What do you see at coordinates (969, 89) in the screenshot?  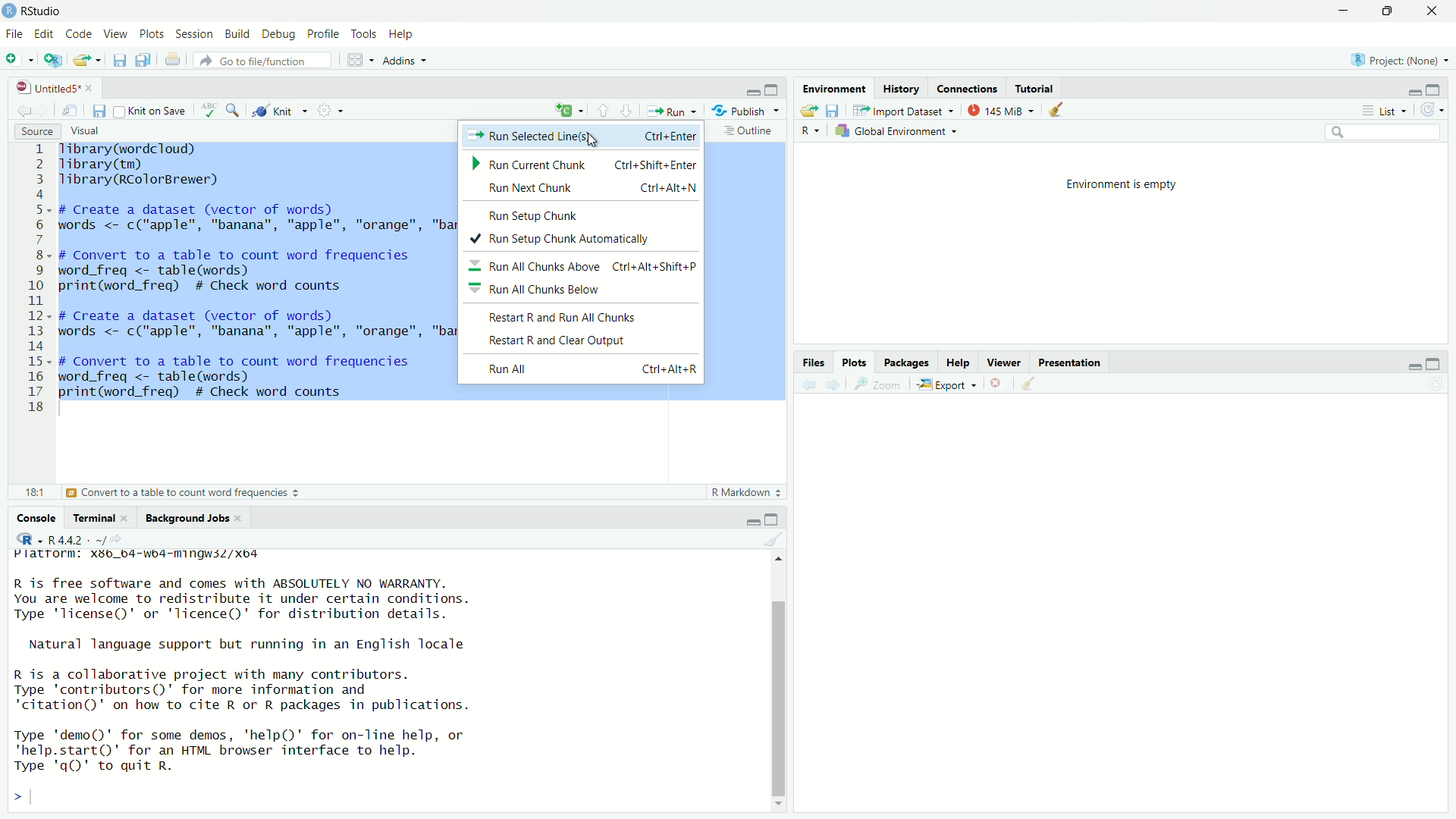 I see `Connections` at bounding box center [969, 89].